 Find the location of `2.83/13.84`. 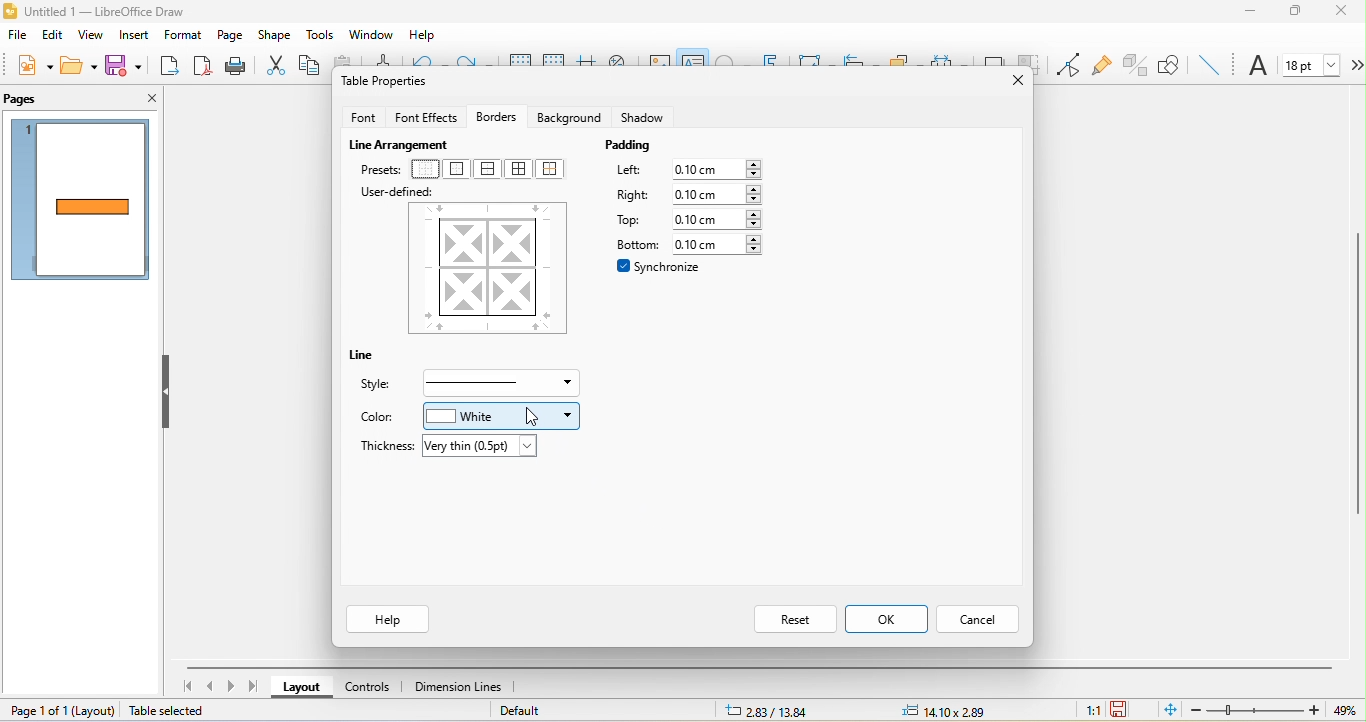

2.83/13.84 is located at coordinates (770, 711).